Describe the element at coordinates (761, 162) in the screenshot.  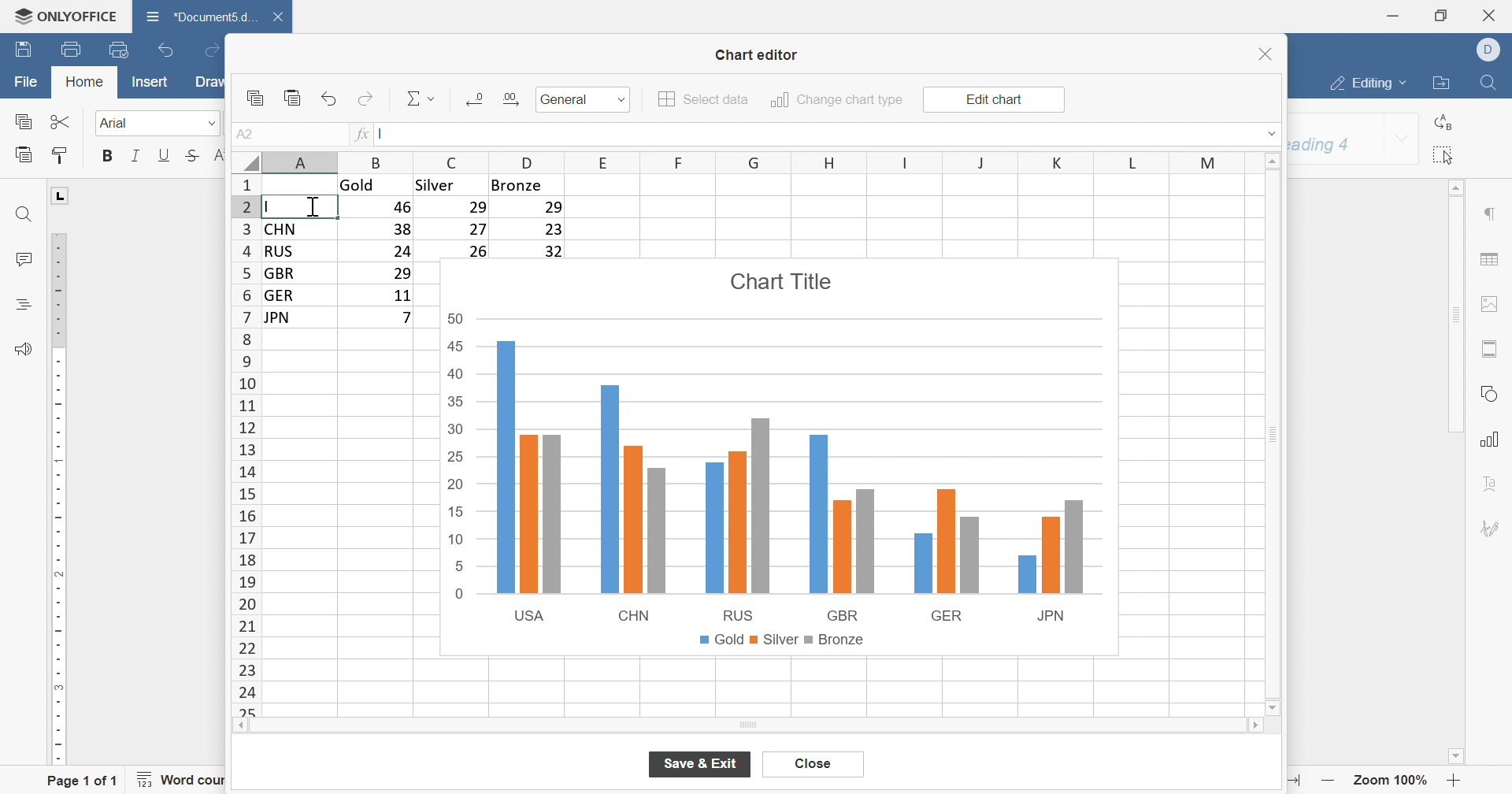
I see `column names` at that location.